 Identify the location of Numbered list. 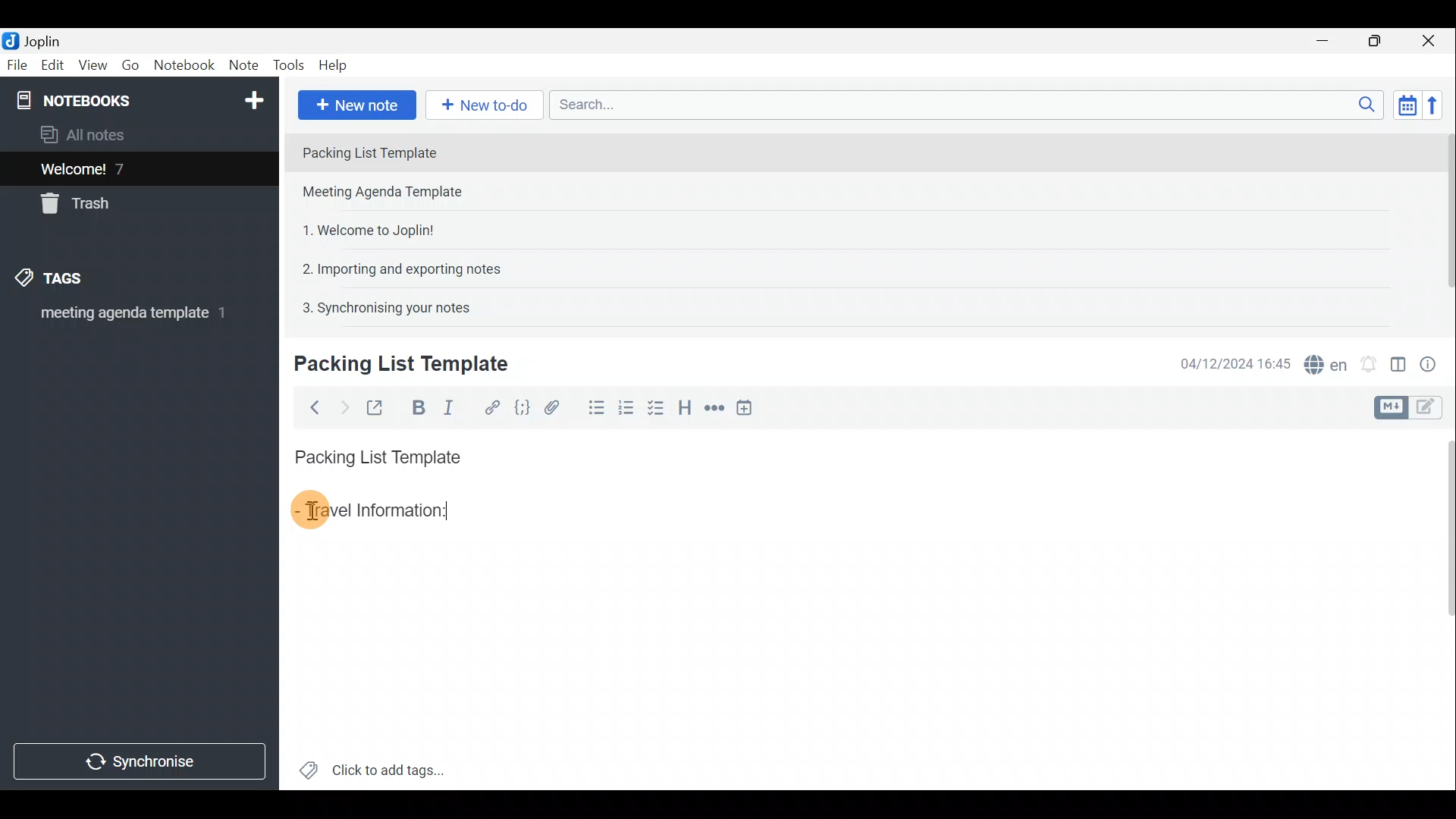
(630, 412).